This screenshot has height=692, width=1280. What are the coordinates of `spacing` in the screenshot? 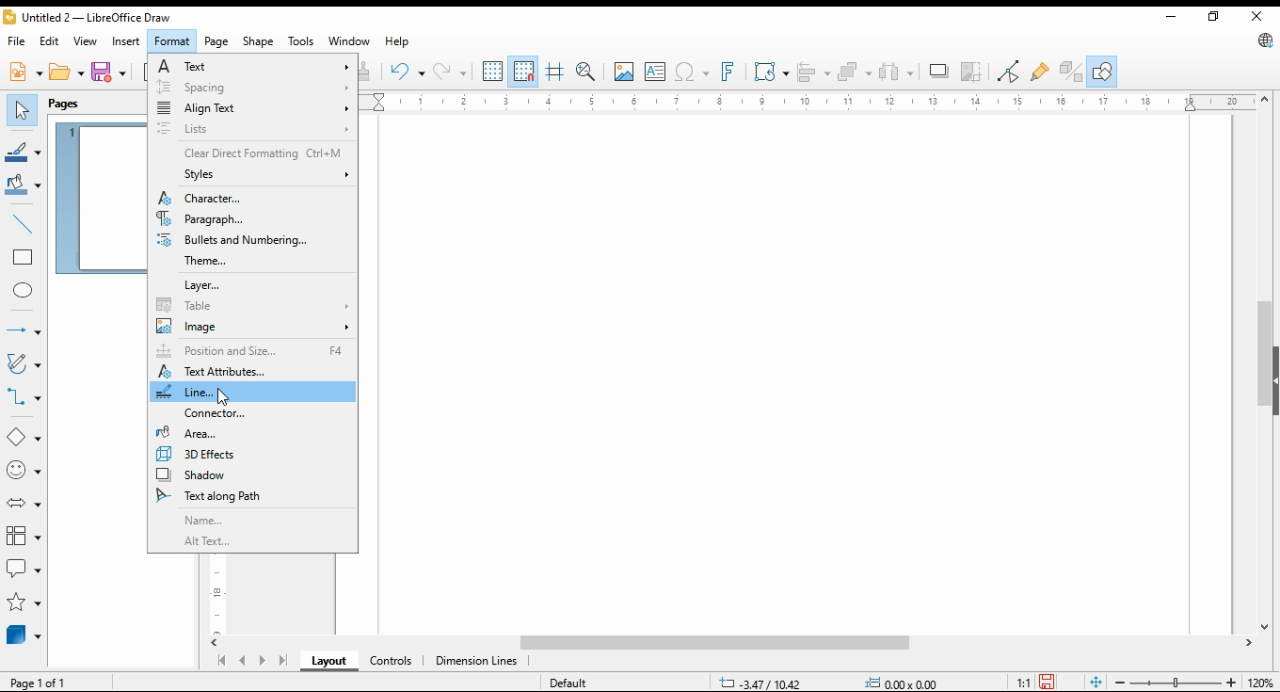 It's located at (252, 88).